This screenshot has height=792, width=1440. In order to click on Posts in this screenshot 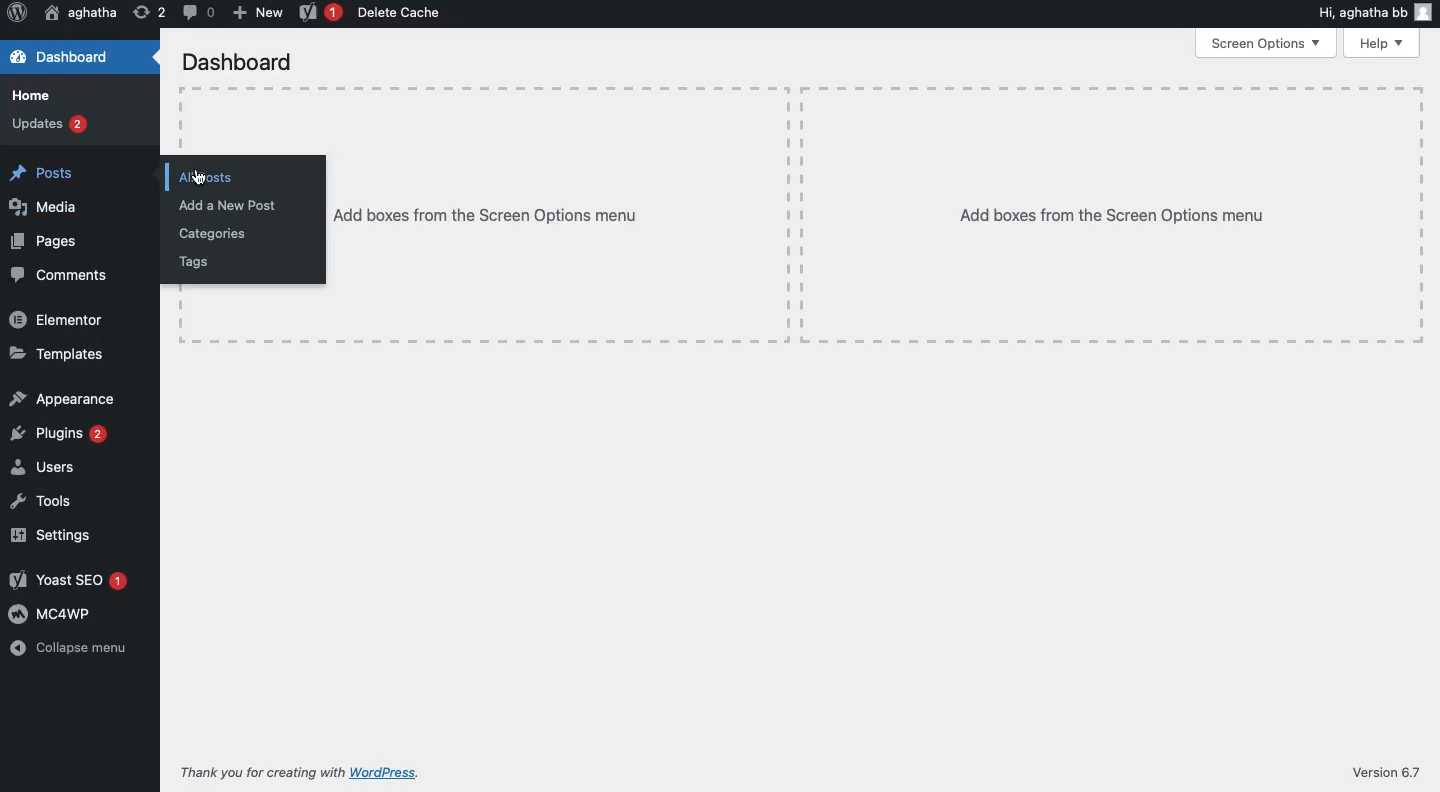, I will do `click(43, 172)`.